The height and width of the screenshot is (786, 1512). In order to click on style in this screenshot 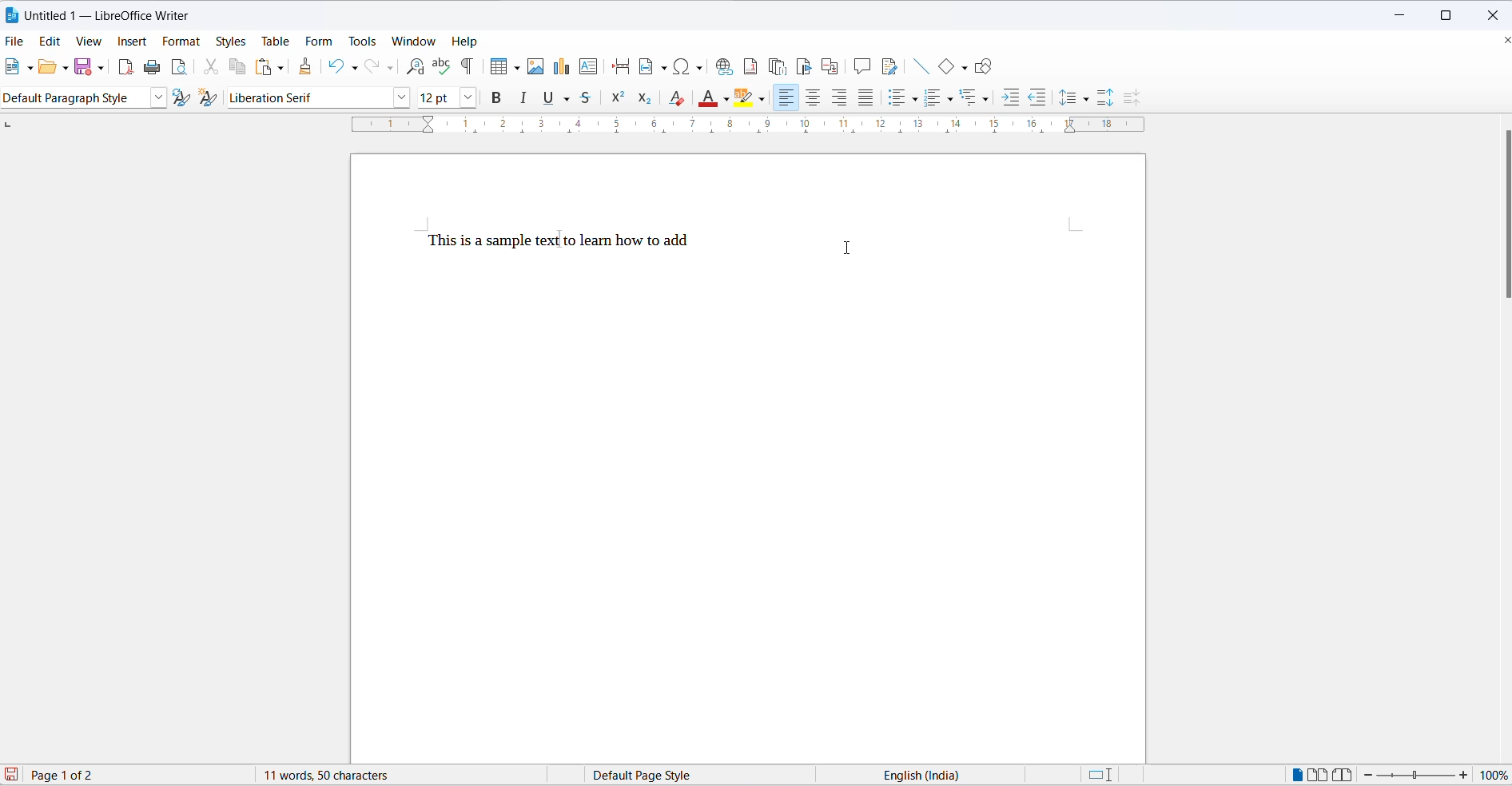, I will do `click(74, 97)`.